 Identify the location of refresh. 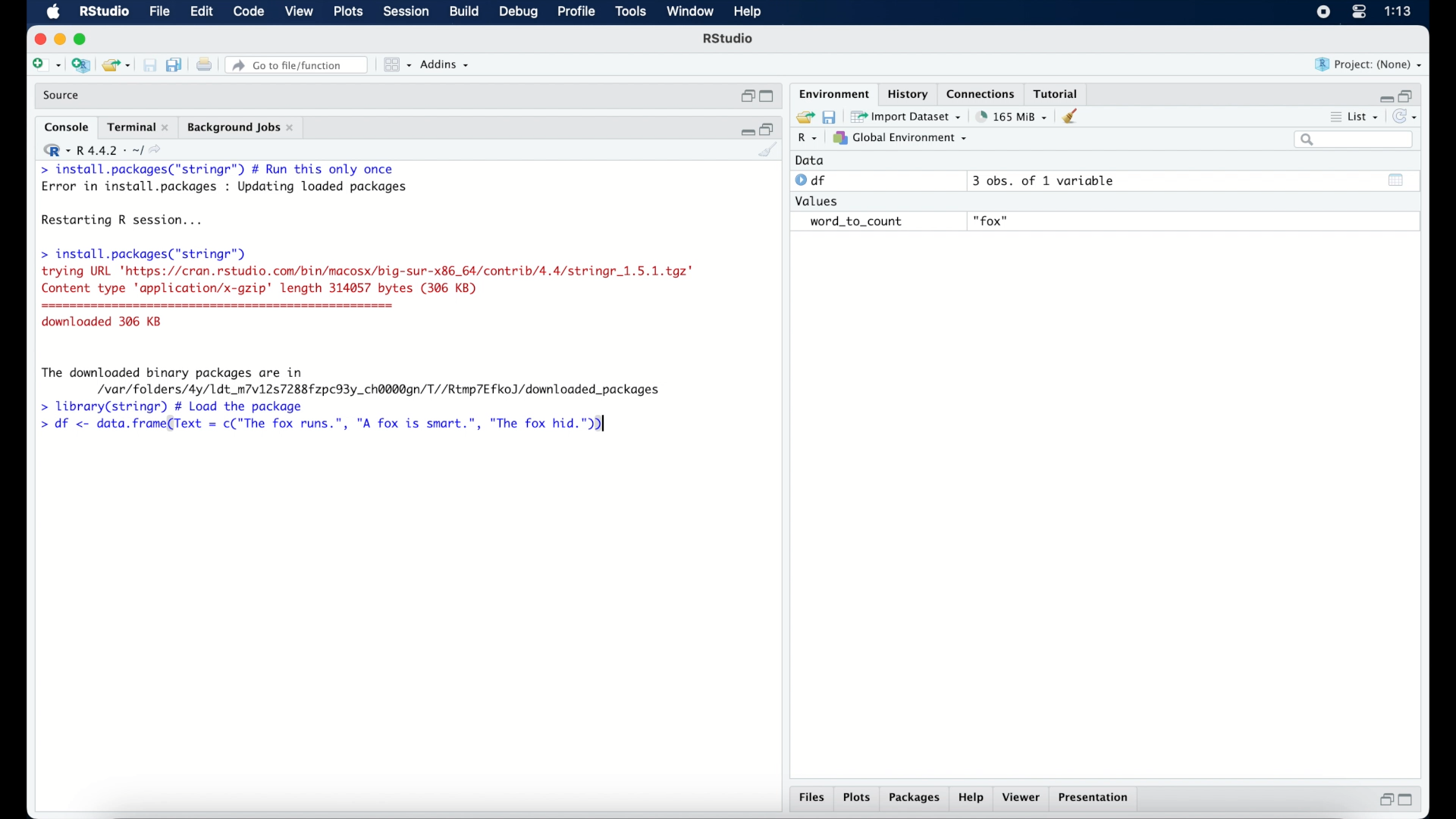
(1407, 117).